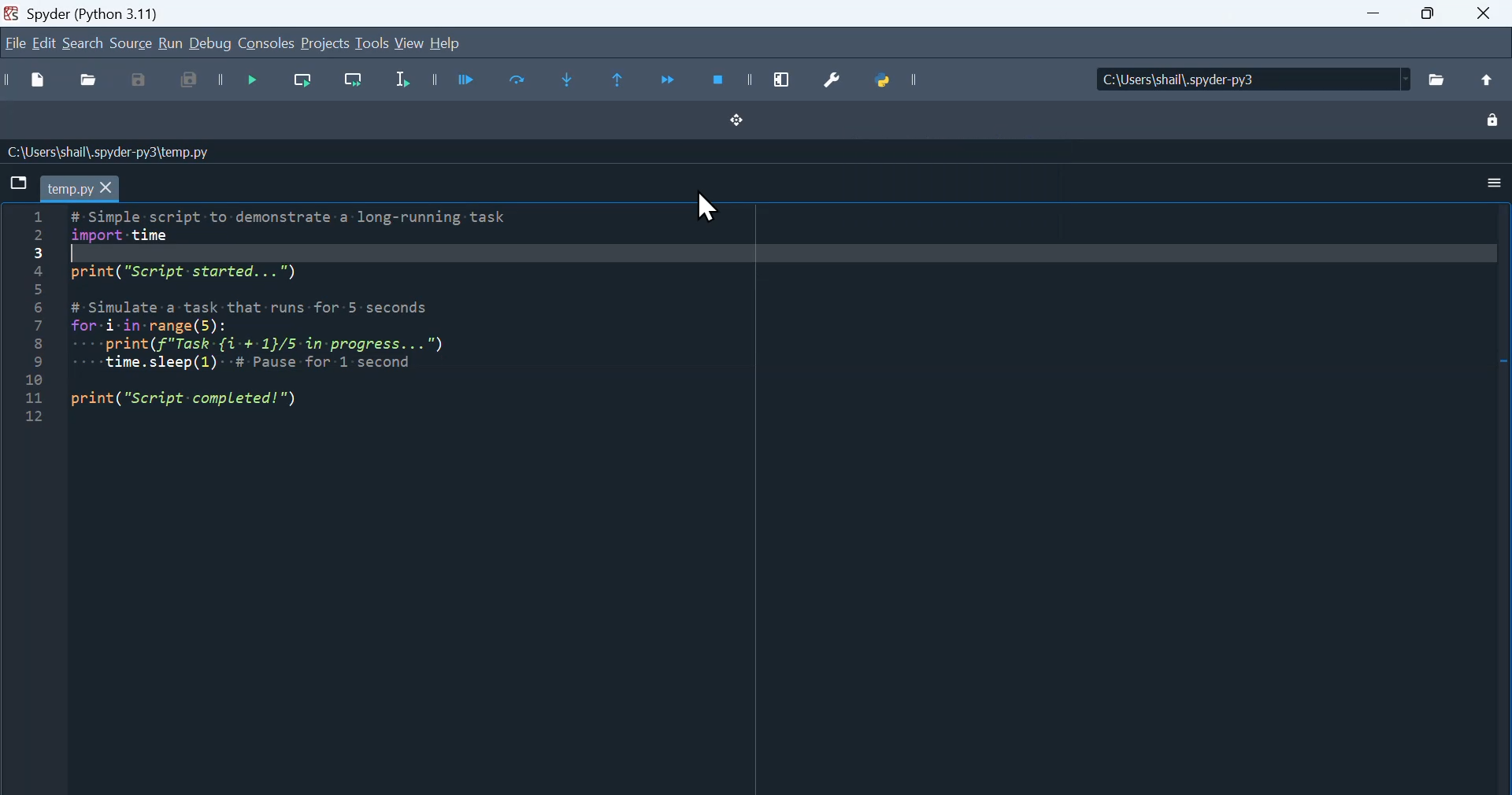 This screenshot has height=795, width=1512. What do you see at coordinates (130, 44) in the screenshot?
I see `Source` at bounding box center [130, 44].